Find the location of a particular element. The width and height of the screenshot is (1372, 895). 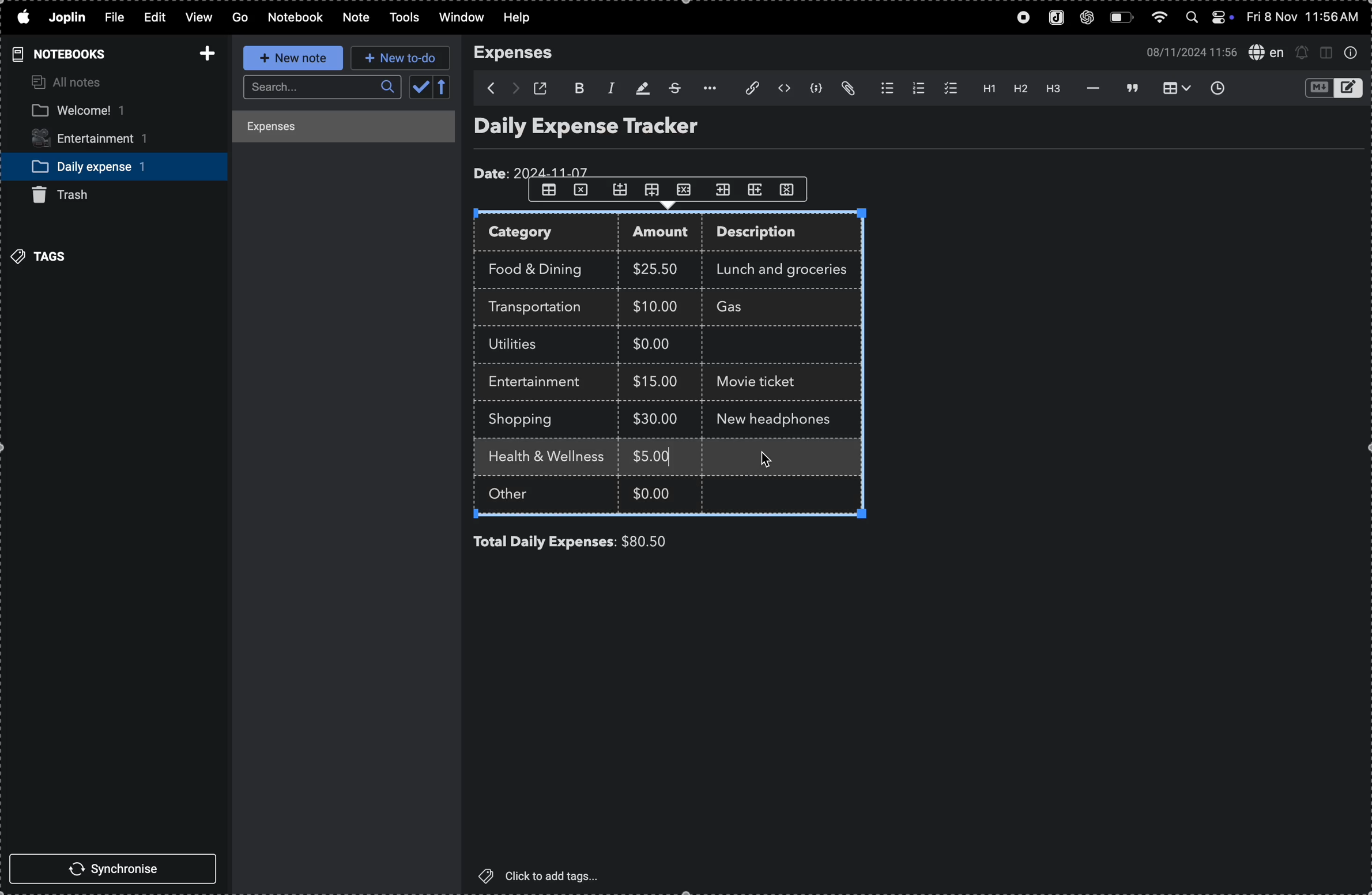

heading 2 is located at coordinates (1020, 91).